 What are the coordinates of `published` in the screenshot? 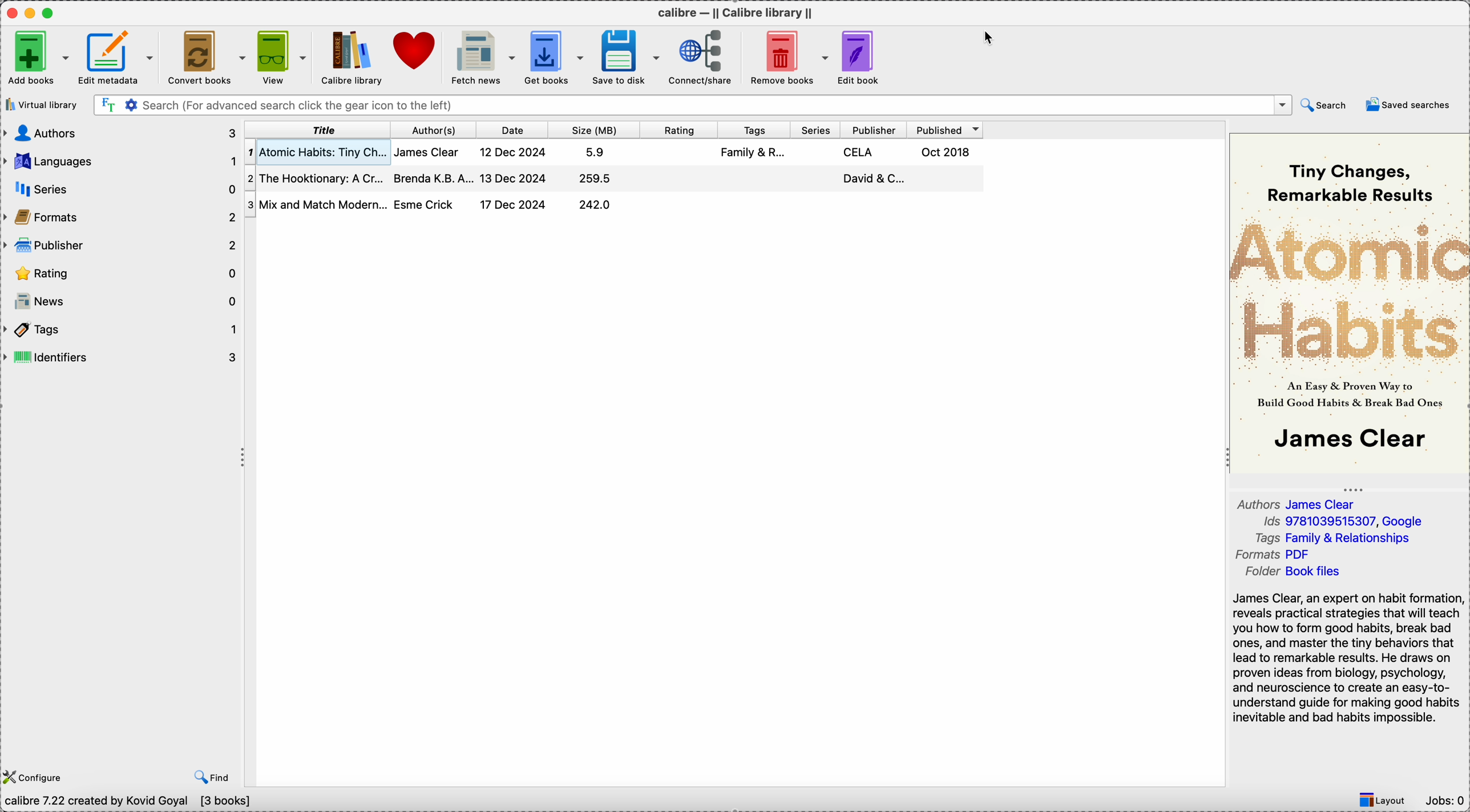 It's located at (946, 128).